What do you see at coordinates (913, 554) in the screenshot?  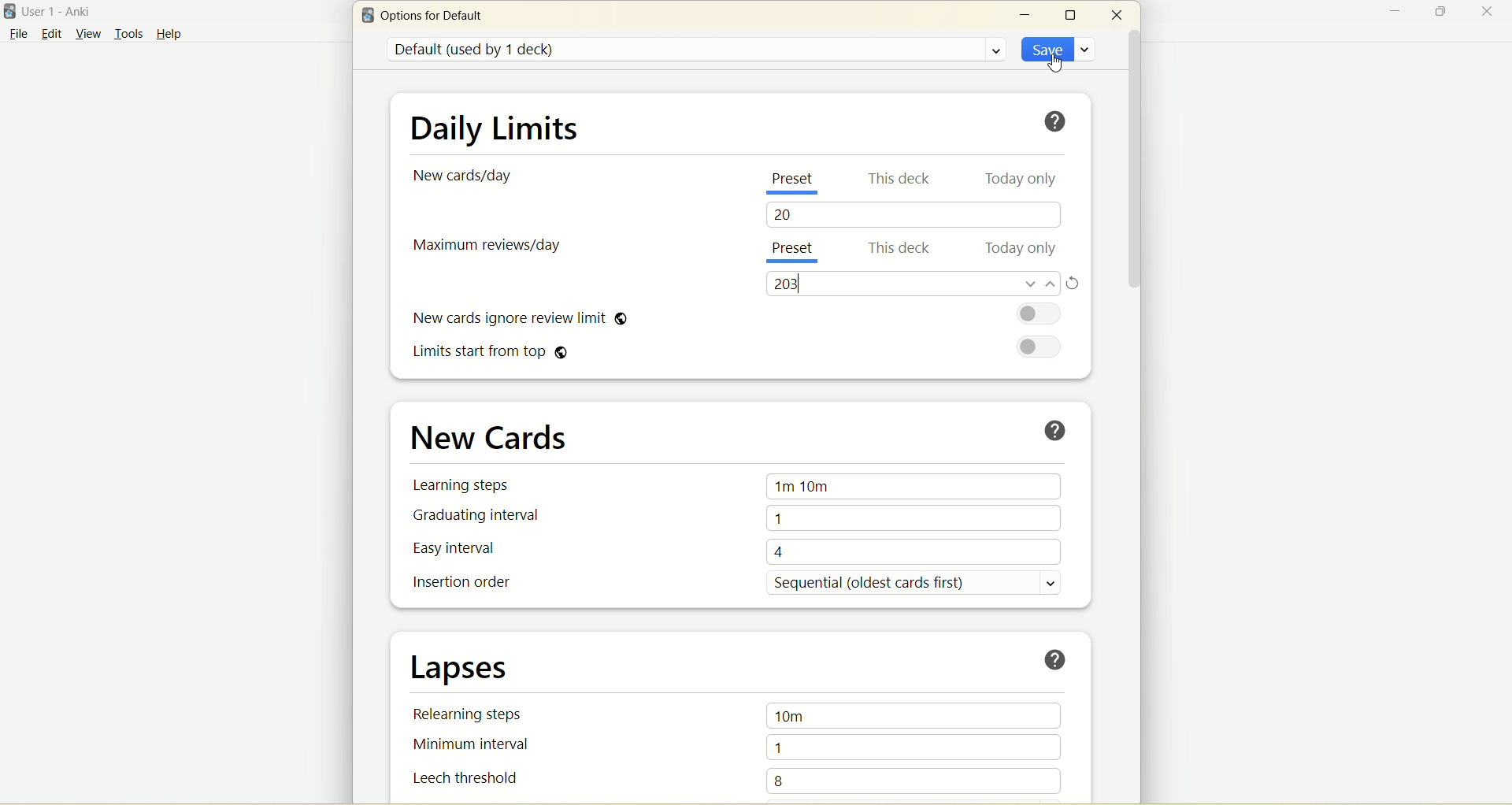 I see `4` at bounding box center [913, 554].